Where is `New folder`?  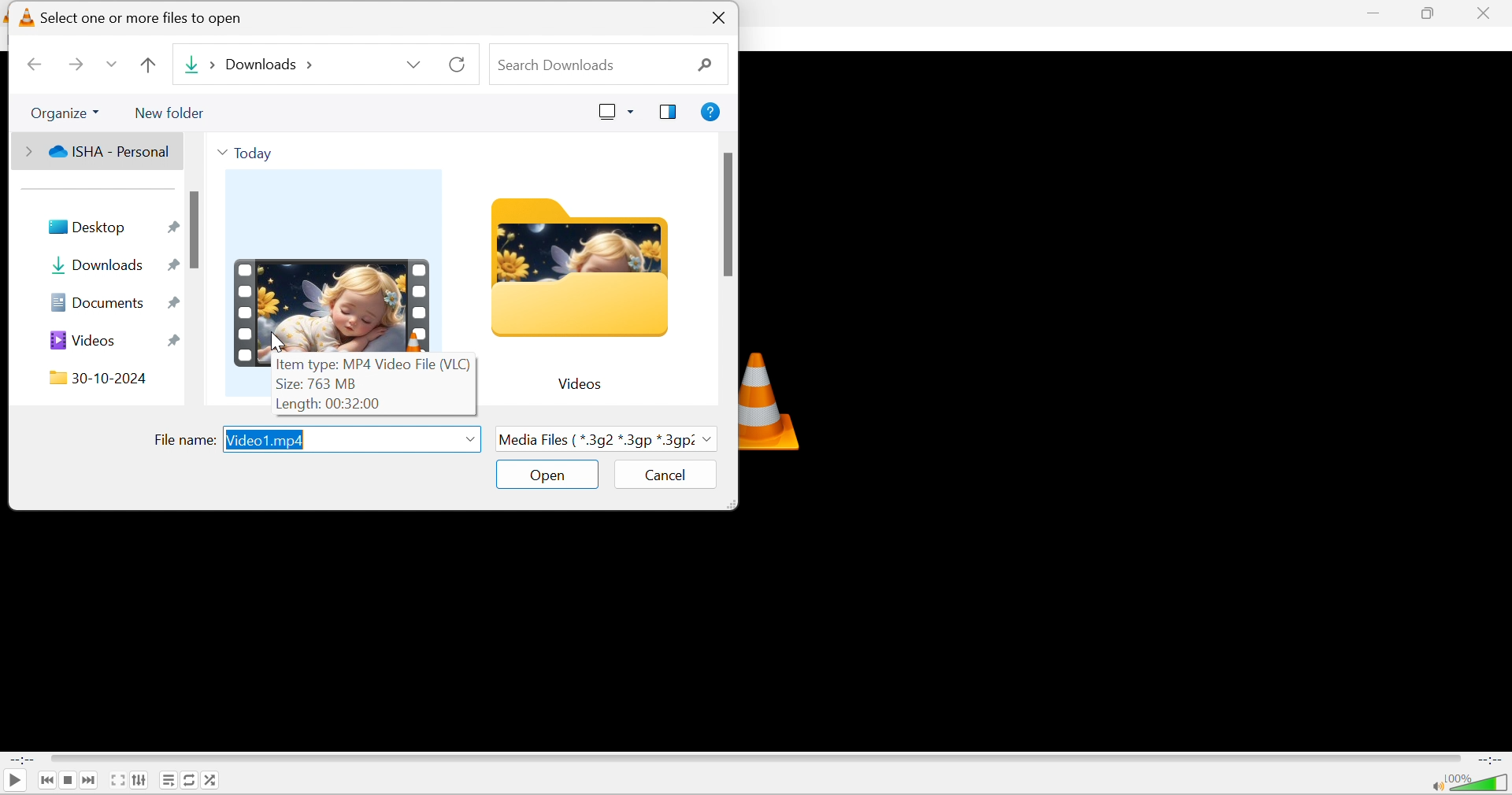
New folder is located at coordinates (172, 114).